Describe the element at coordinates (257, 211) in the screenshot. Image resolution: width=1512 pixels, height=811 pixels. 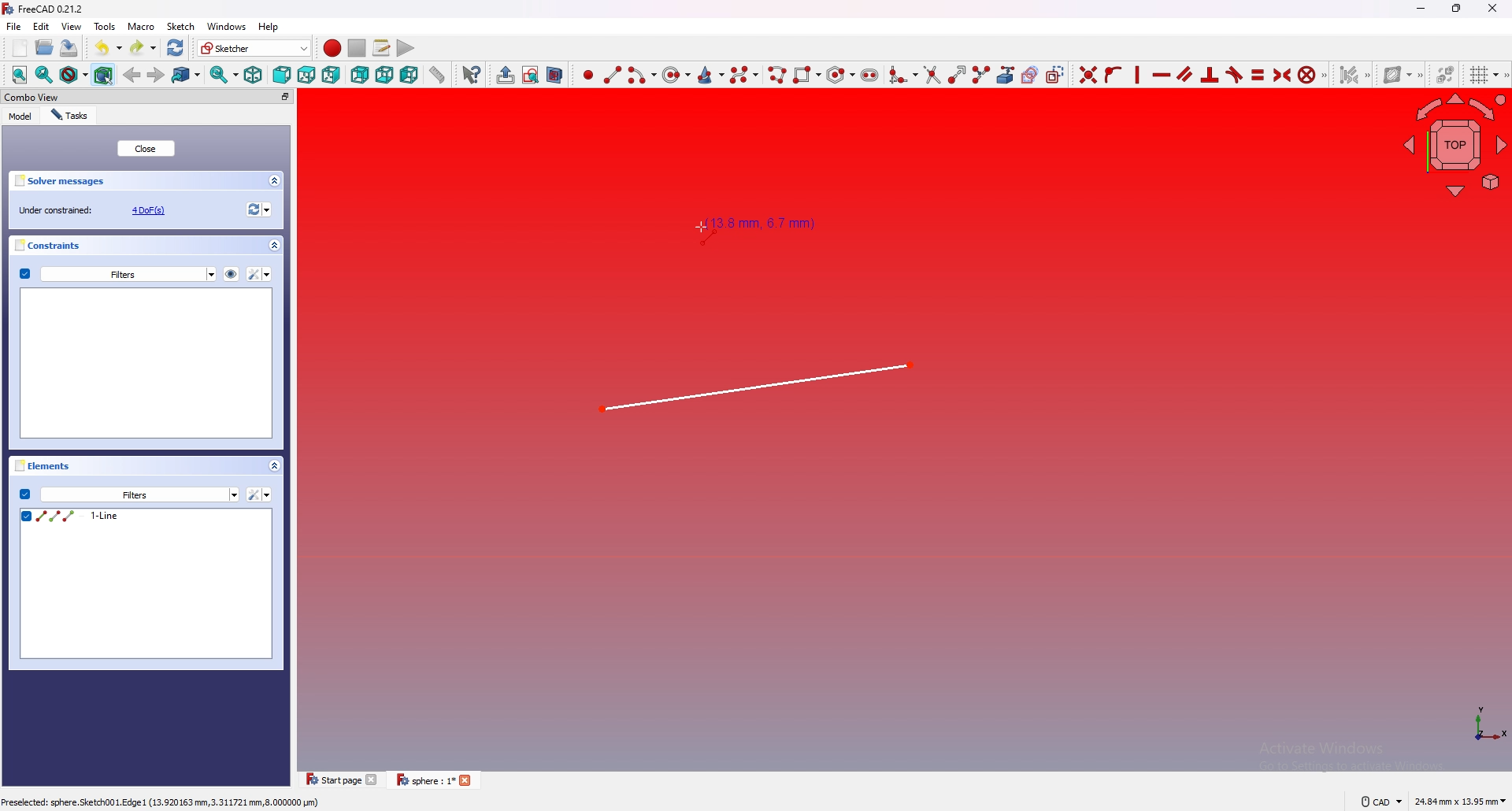
I see `Forces recomputation of active document` at that location.